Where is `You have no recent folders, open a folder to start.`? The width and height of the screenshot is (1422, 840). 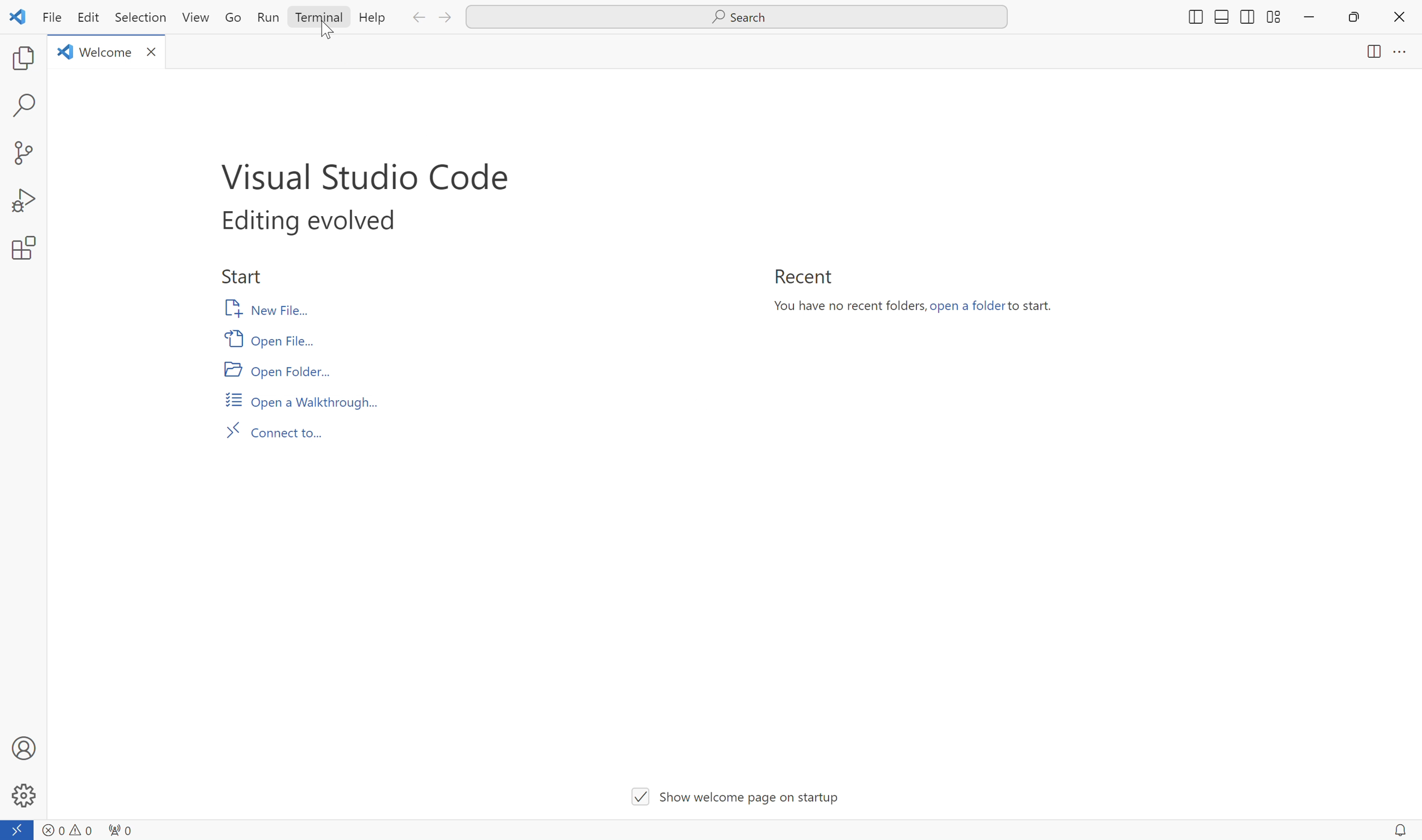
You have no recent folders, open a folder to start. is located at coordinates (919, 308).